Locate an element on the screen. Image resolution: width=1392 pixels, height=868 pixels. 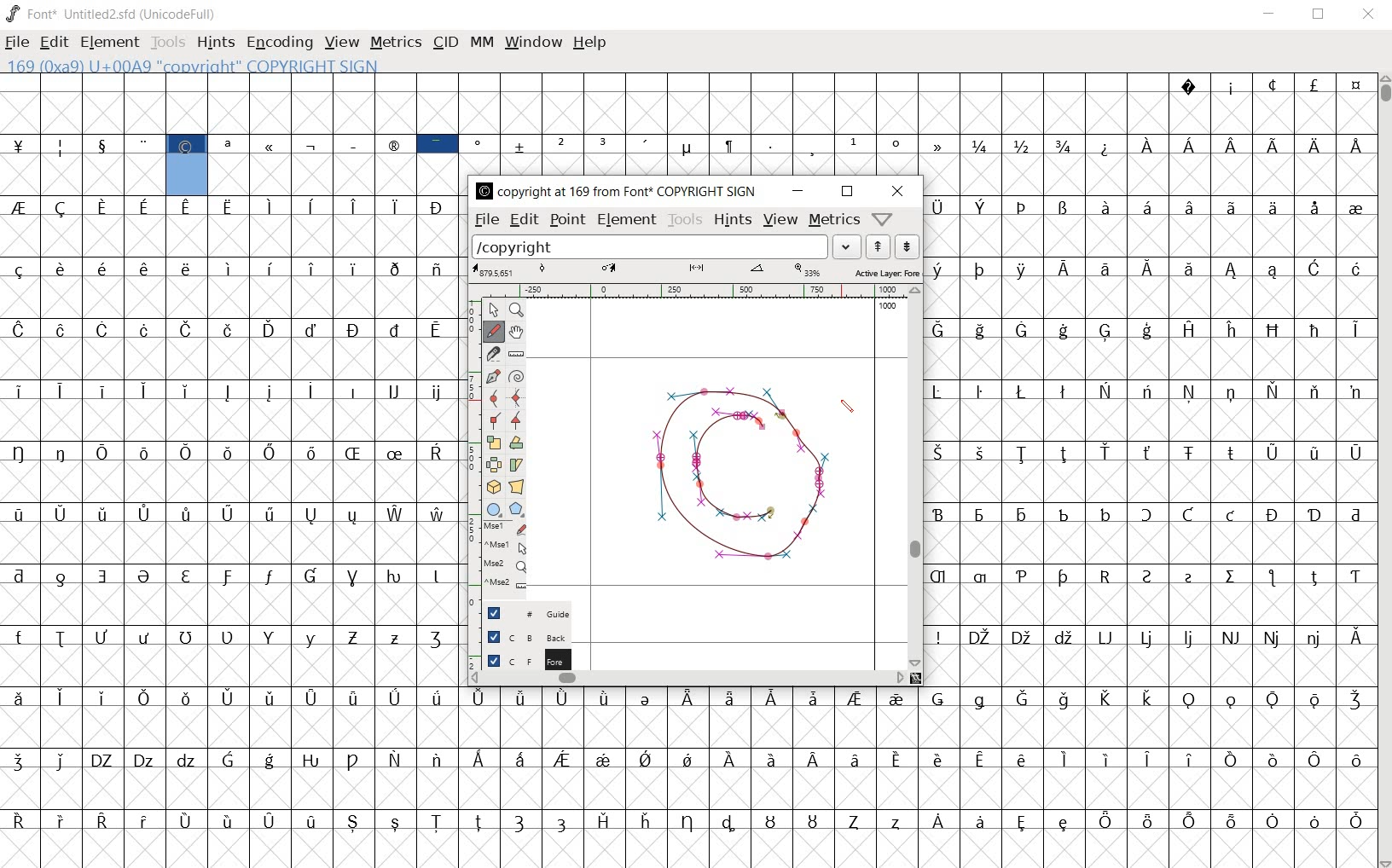
Add a corner point is located at coordinates (516, 421).